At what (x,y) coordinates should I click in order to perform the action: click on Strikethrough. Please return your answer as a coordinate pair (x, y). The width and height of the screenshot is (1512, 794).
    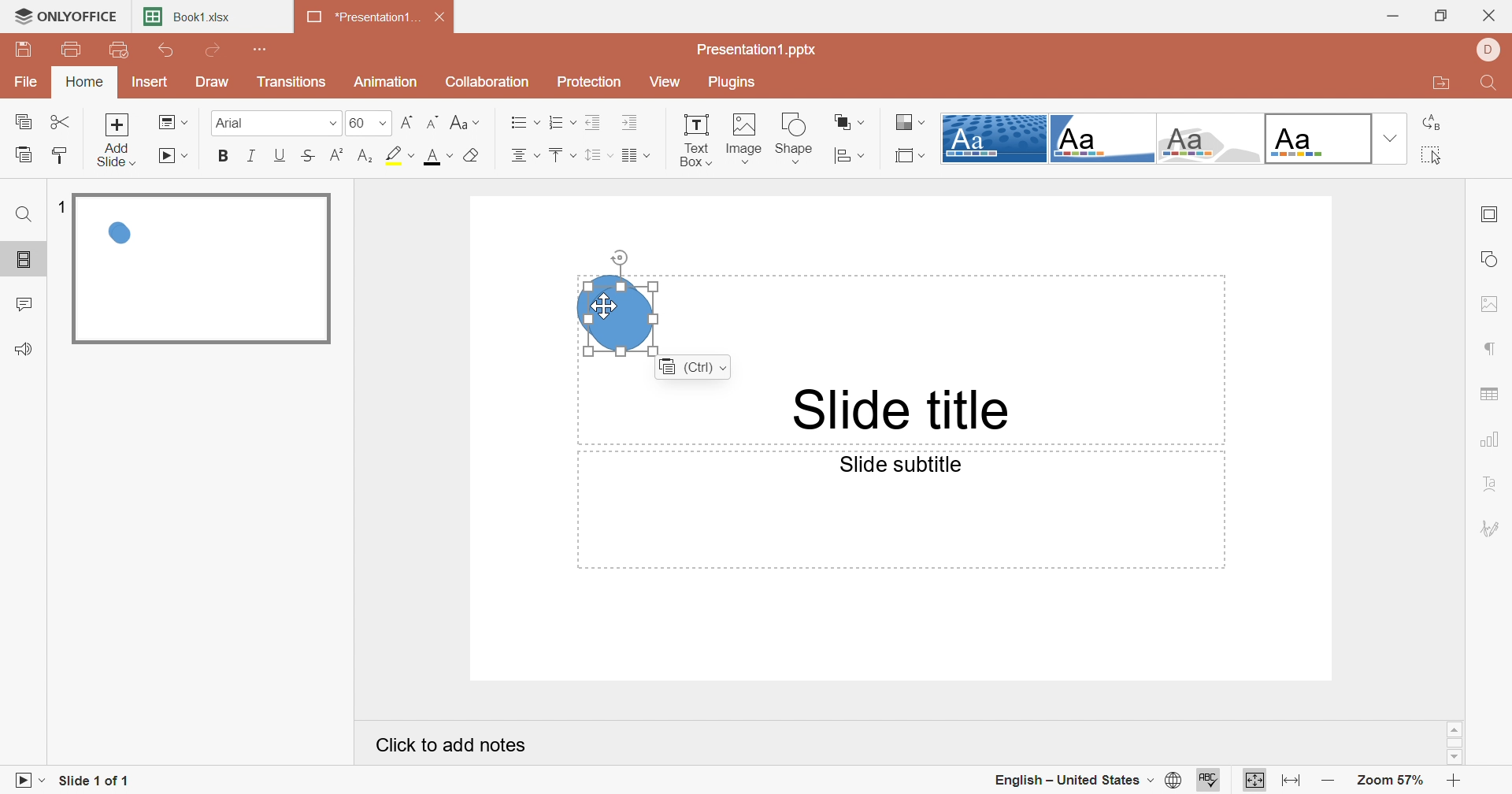
    Looking at the image, I should click on (309, 154).